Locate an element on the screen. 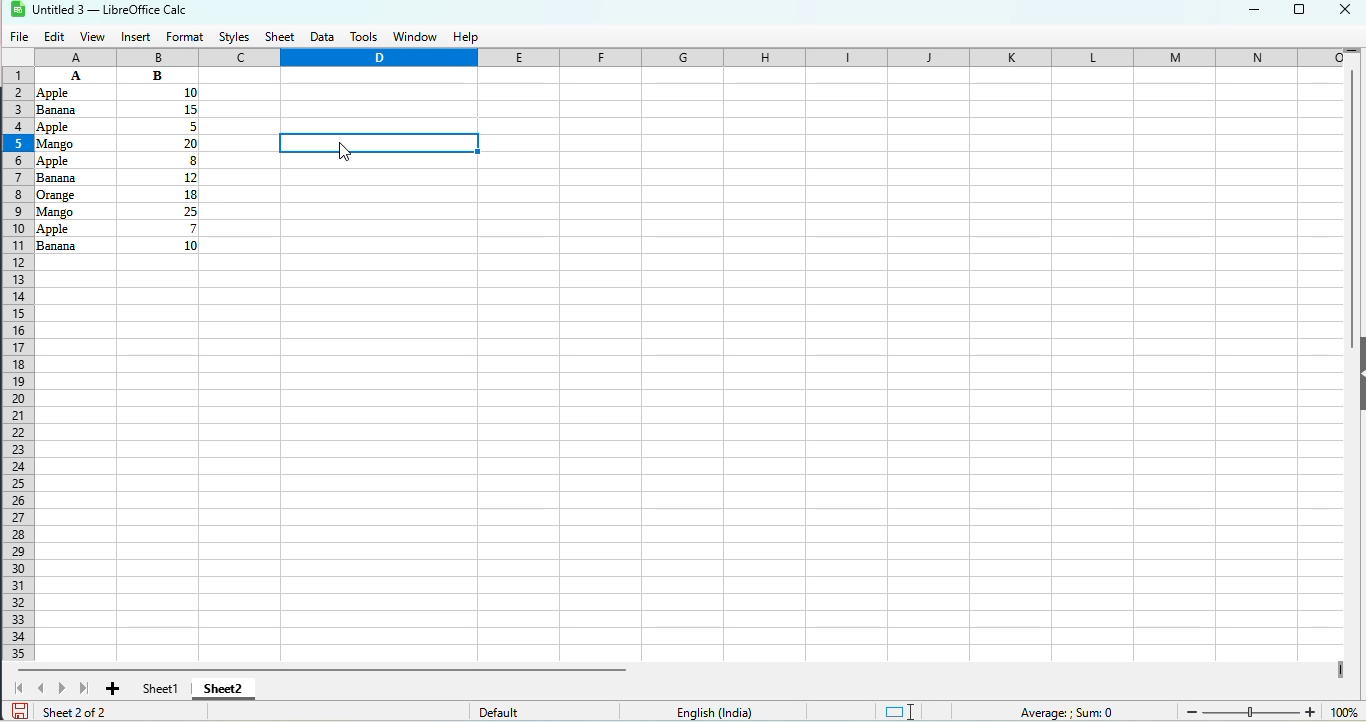 The height and width of the screenshot is (722, 1366). window is located at coordinates (416, 37).